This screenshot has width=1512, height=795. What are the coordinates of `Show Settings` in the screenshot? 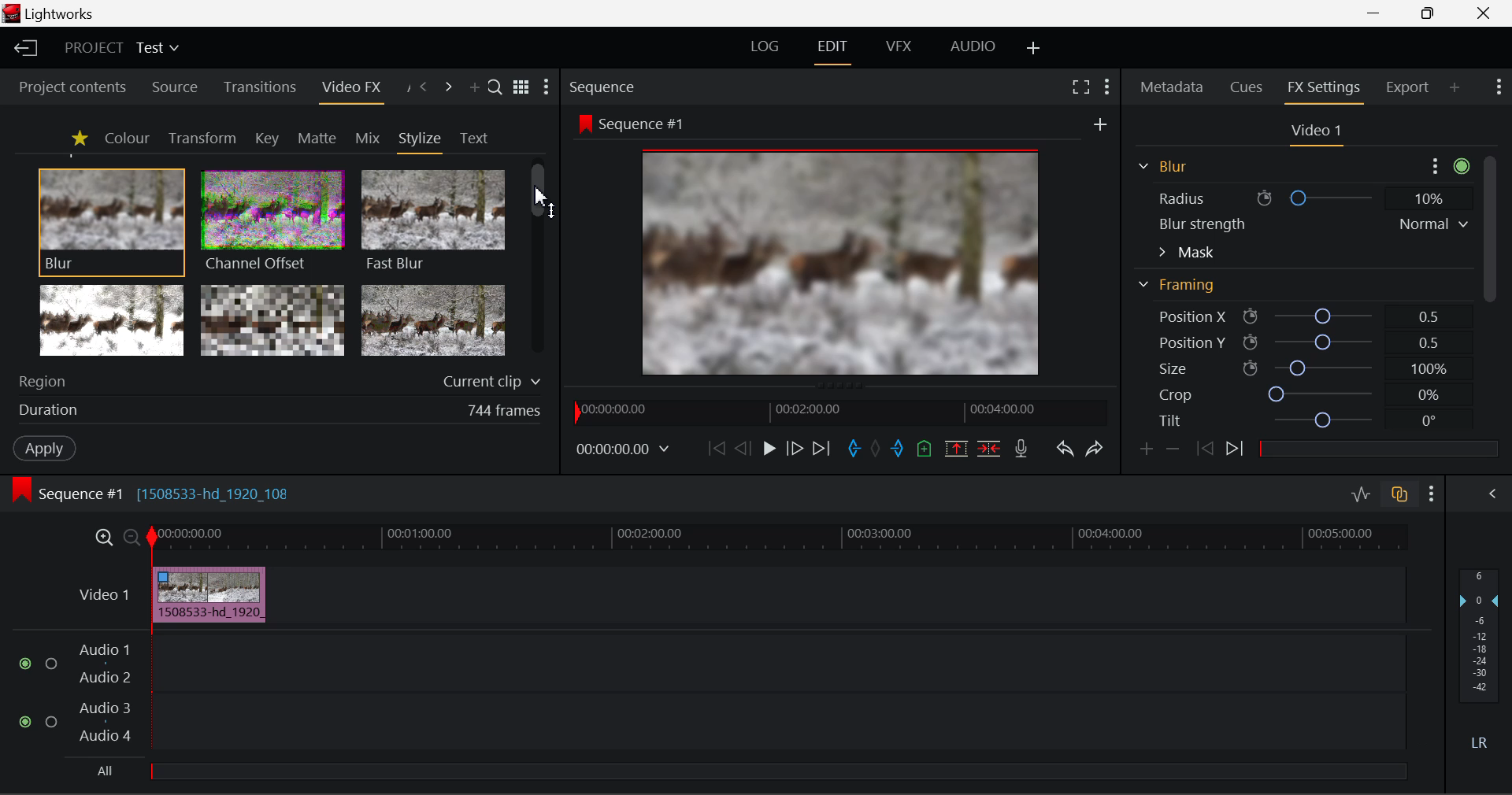 It's located at (550, 87).